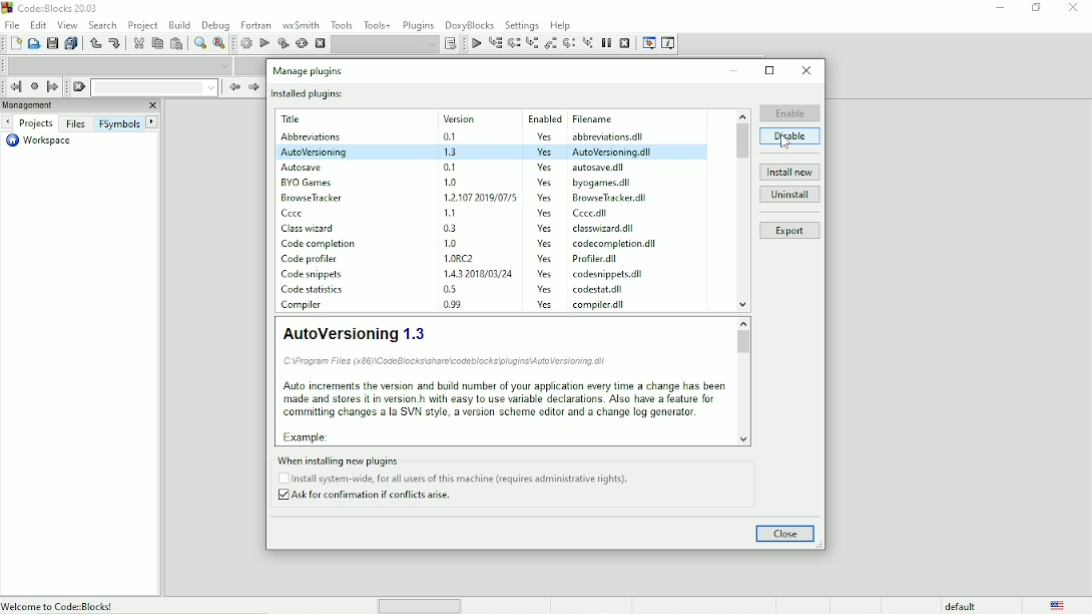 This screenshot has height=614, width=1092. What do you see at coordinates (343, 24) in the screenshot?
I see `Tools` at bounding box center [343, 24].